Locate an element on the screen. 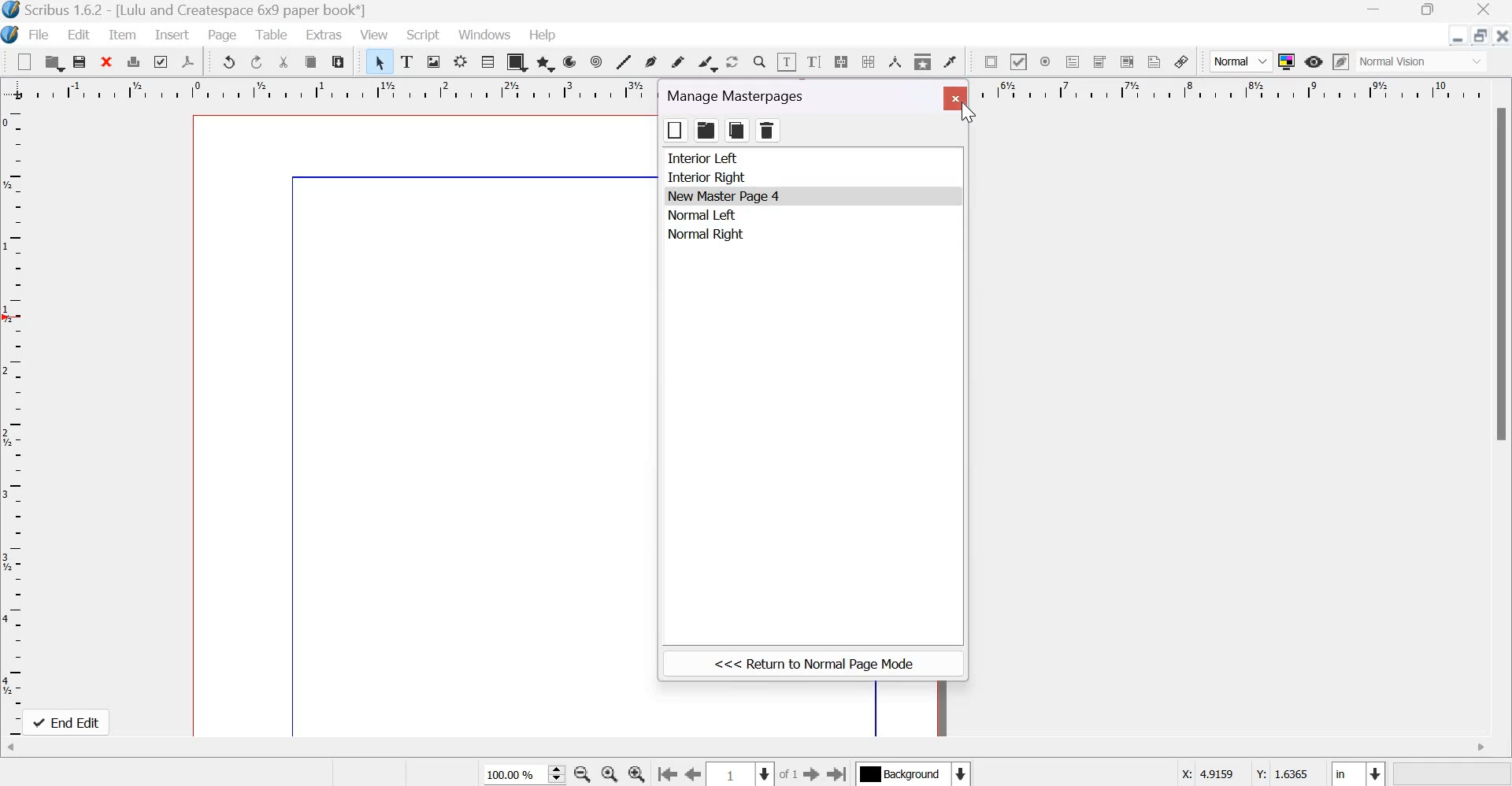 The width and height of the screenshot is (1512, 786). vertical scale is located at coordinates (16, 418).